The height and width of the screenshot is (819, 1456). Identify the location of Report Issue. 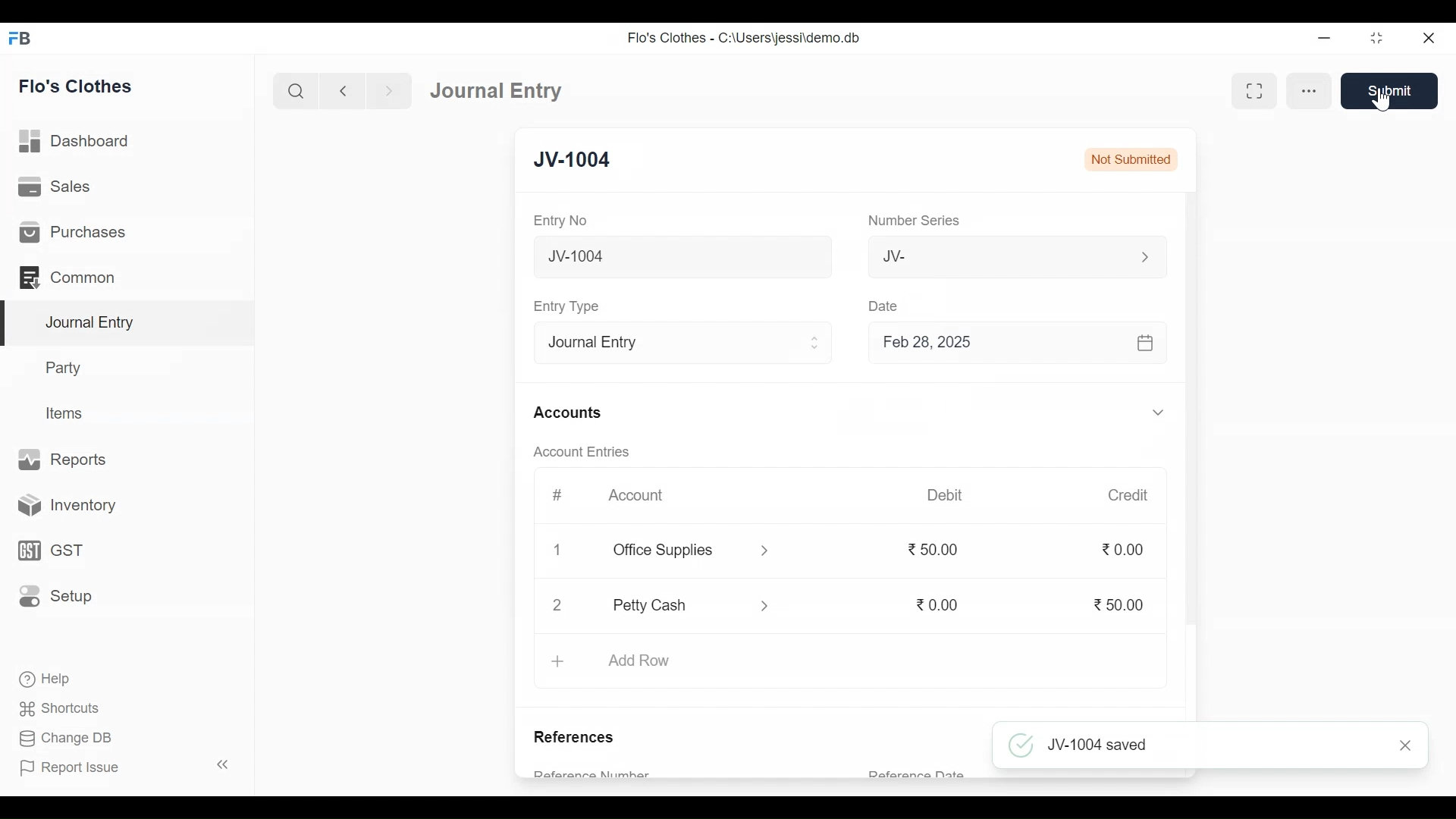
(69, 767).